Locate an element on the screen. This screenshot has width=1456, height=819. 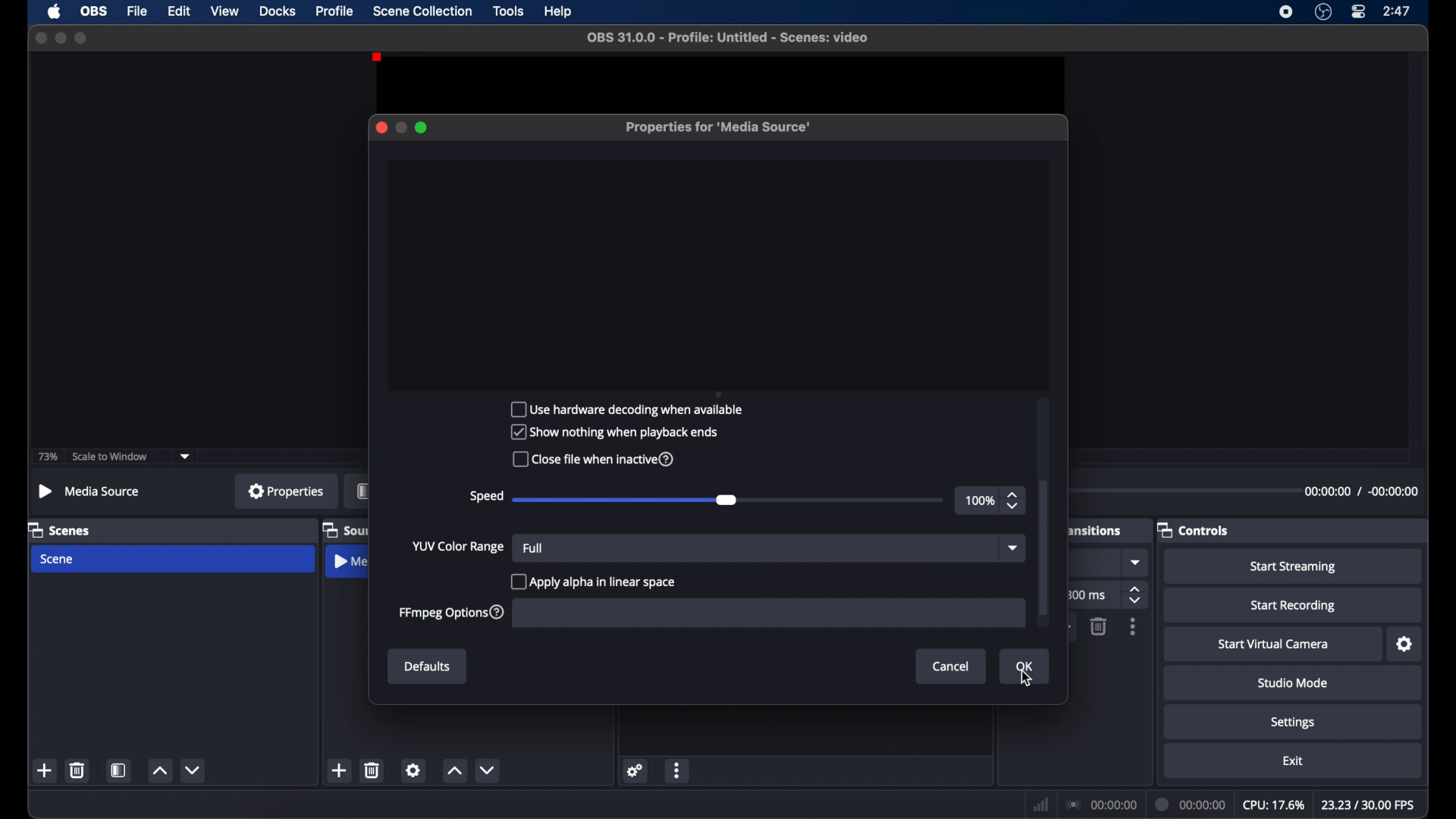
increment button is located at coordinates (159, 770).